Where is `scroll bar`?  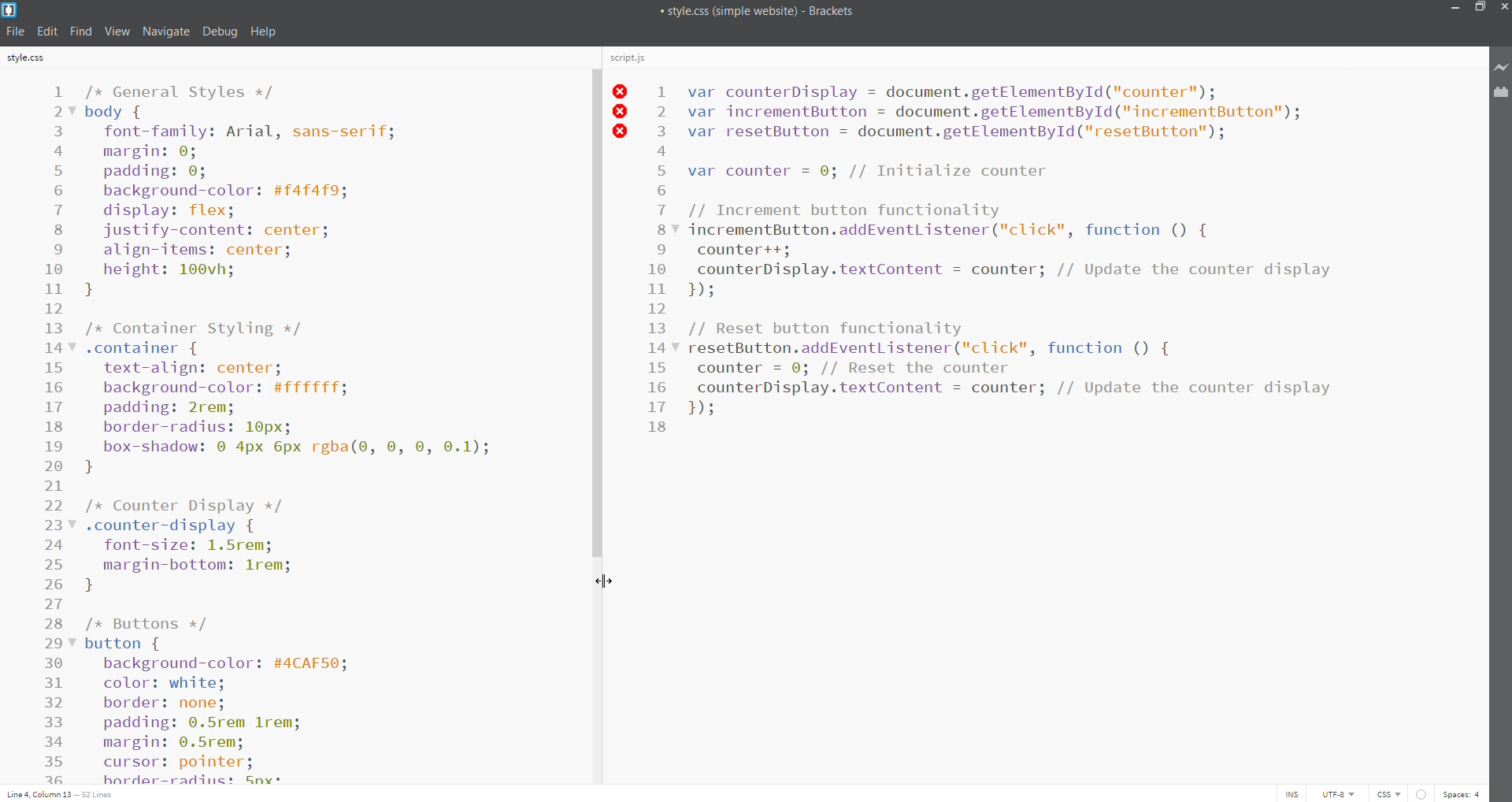 scroll bar is located at coordinates (598, 425).